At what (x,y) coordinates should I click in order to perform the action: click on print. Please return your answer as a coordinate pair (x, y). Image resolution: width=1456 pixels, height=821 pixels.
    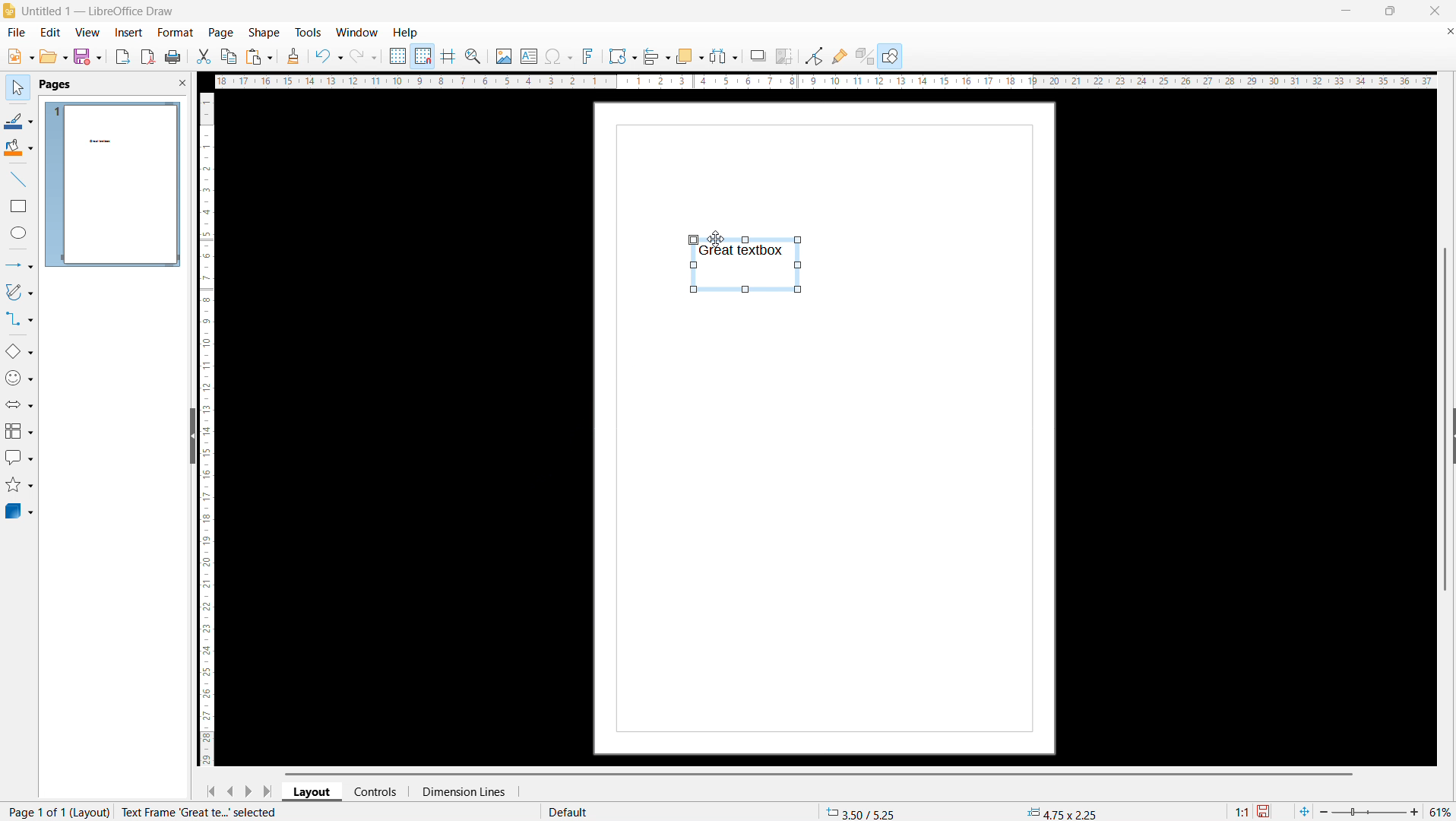
    Looking at the image, I should click on (173, 57).